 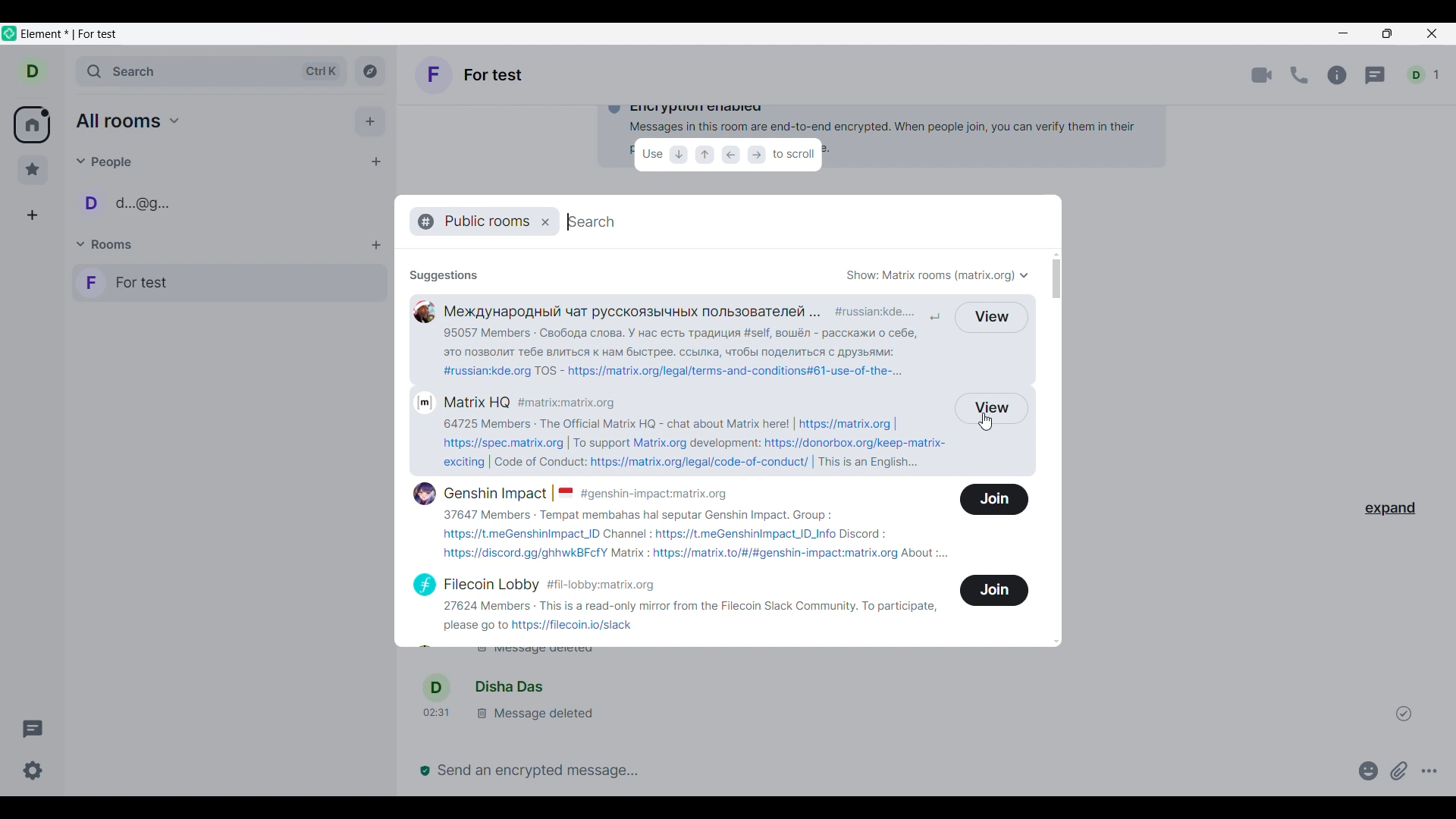 What do you see at coordinates (33, 729) in the screenshot?
I see `Threads` at bounding box center [33, 729].